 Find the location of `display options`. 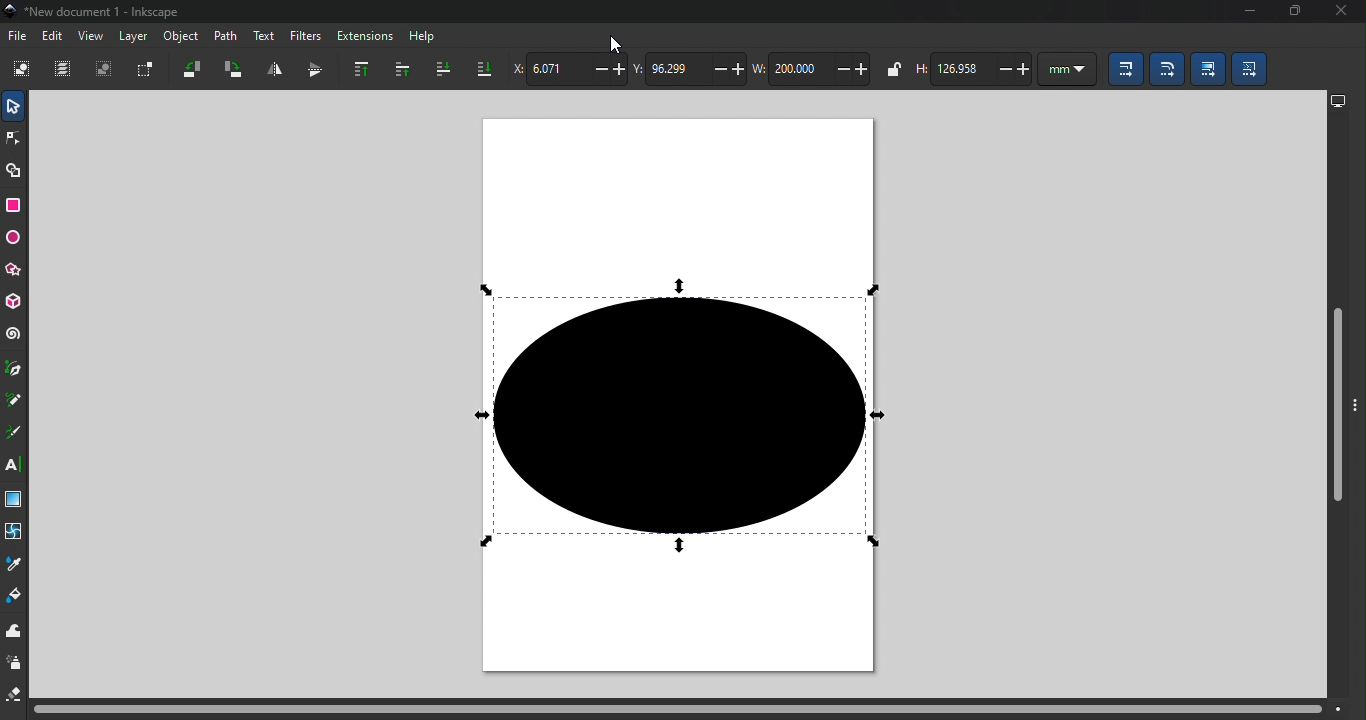

display options is located at coordinates (1337, 98).